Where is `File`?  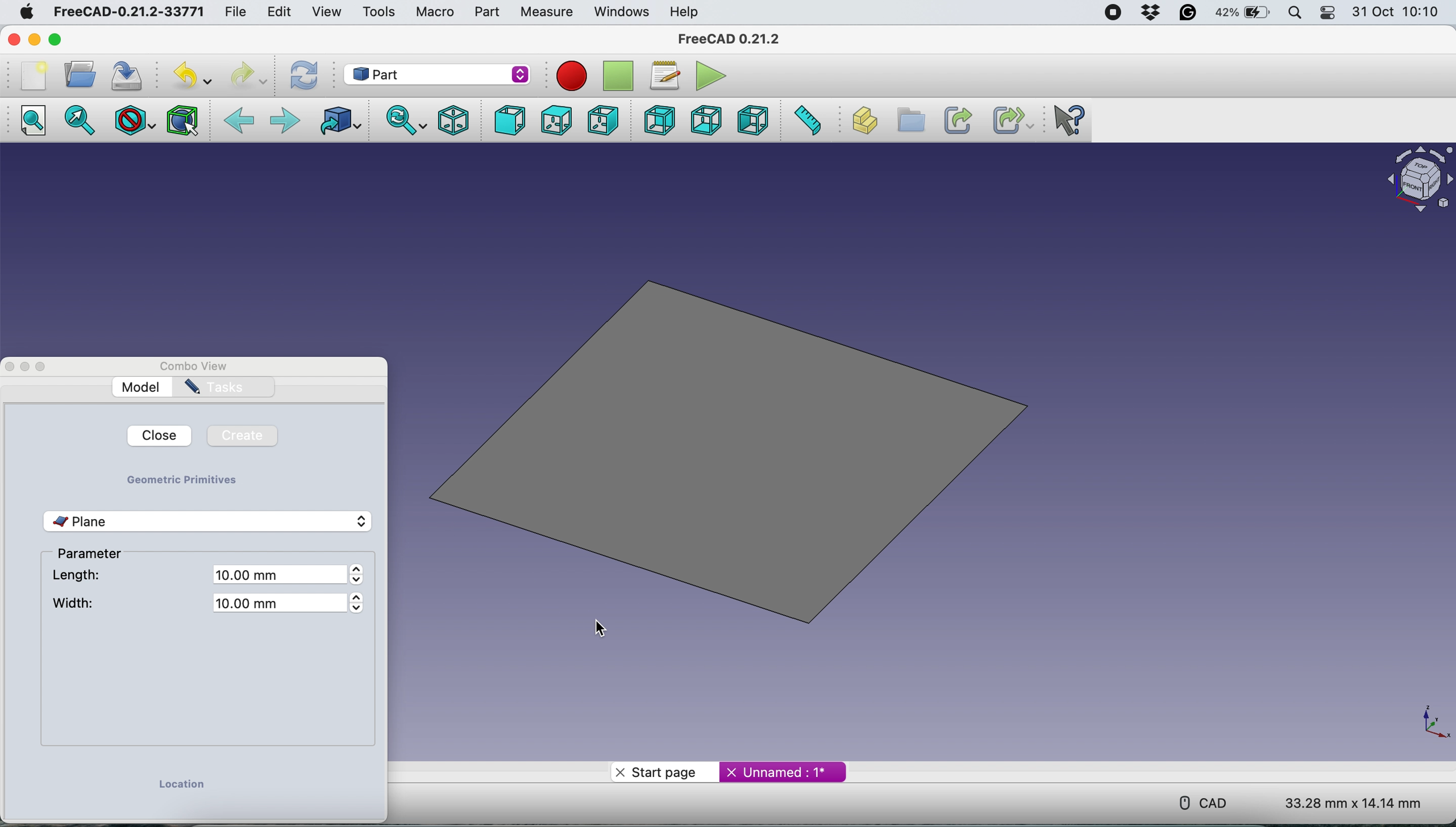 File is located at coordinates (235, 10).